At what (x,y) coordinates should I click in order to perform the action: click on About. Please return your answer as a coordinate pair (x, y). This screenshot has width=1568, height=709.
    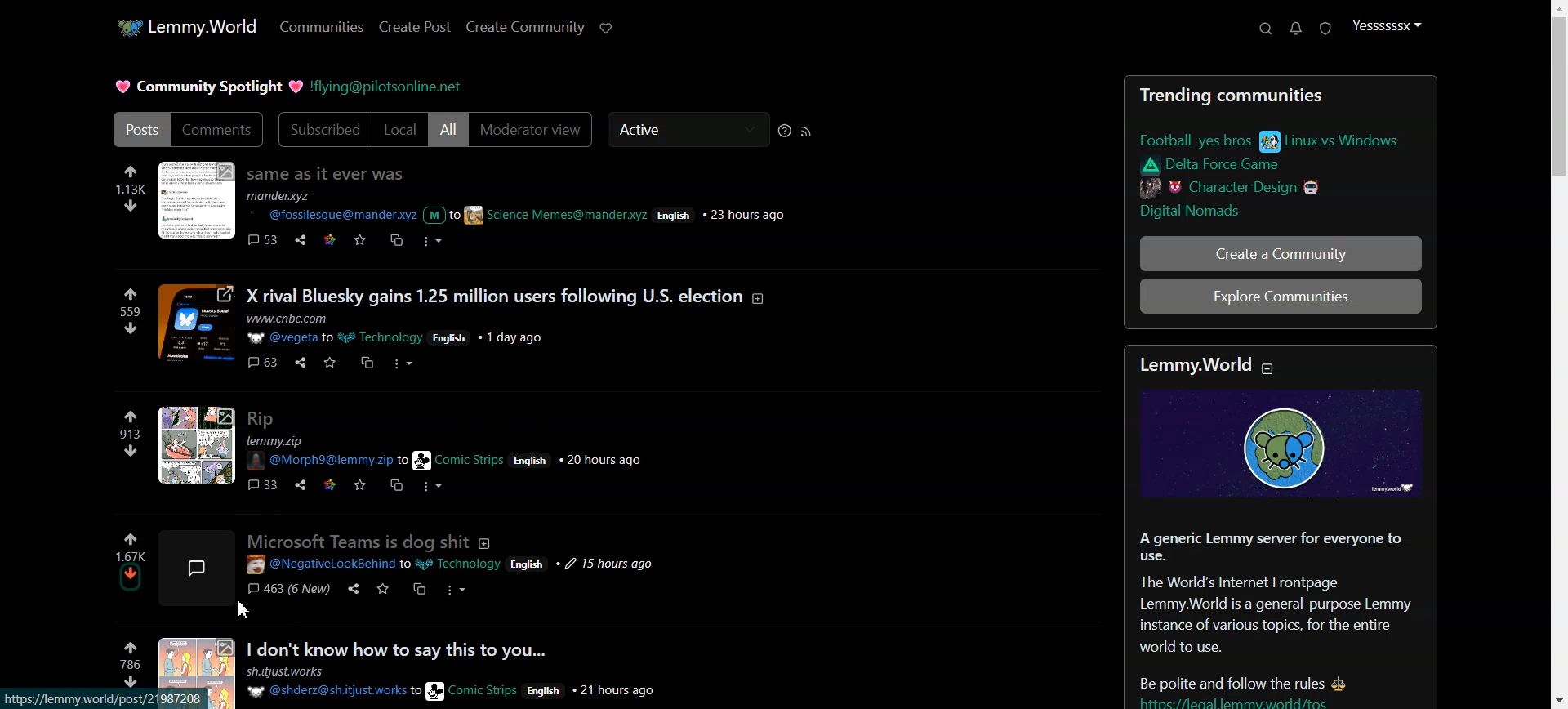
    Looking at the image, I should click on (485, 544).